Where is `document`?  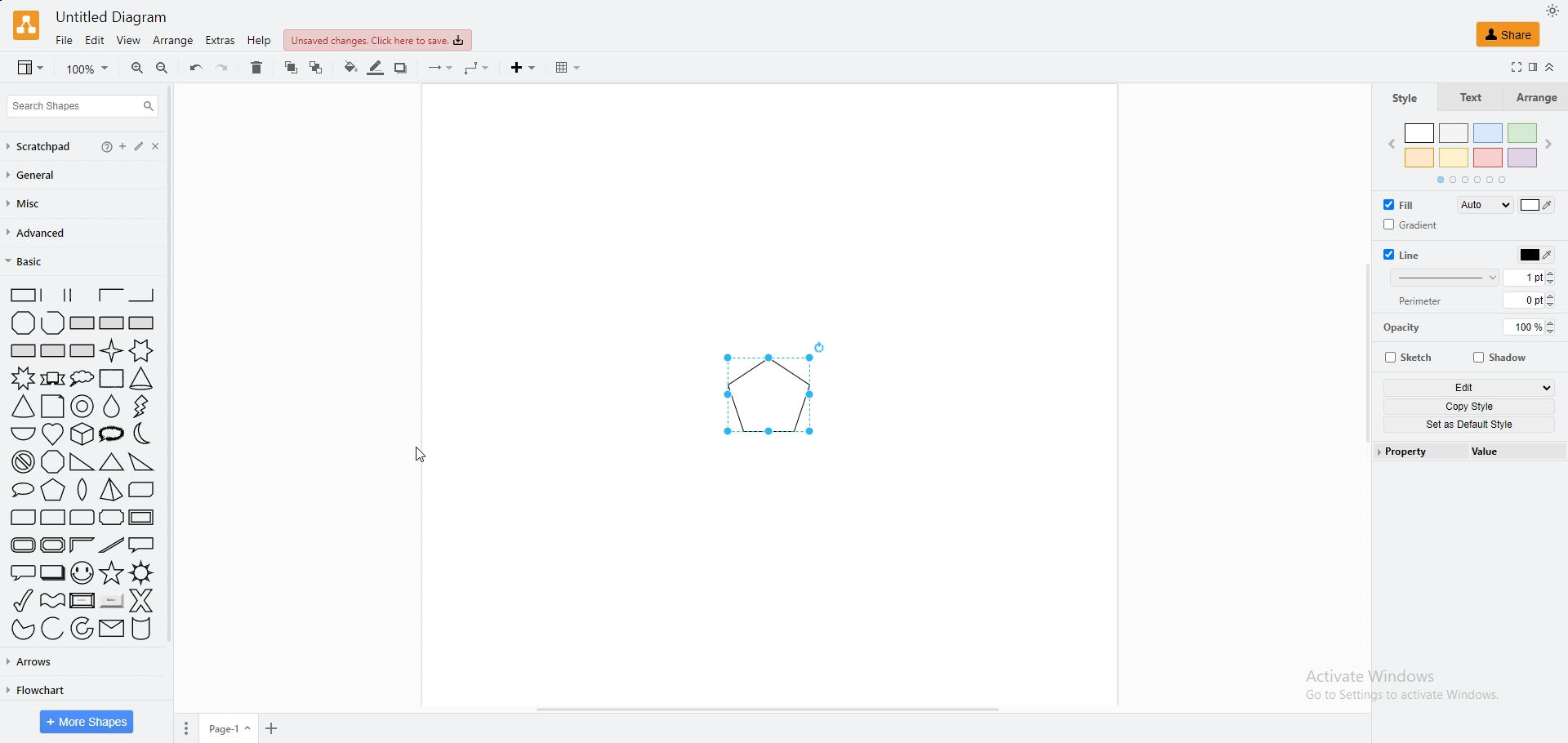
document is located at coordinates (52, 407).